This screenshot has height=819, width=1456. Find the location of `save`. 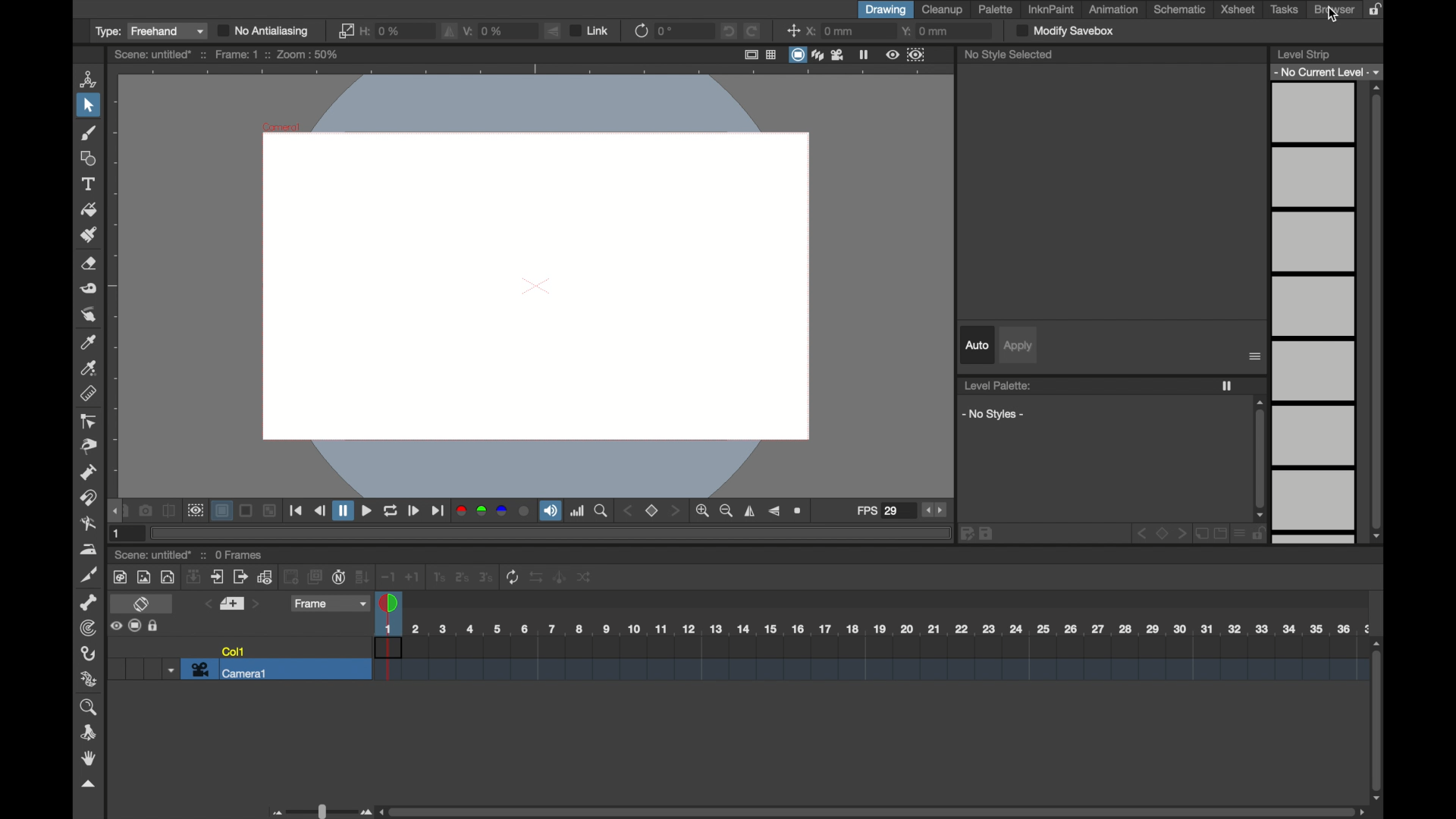

save is located at coordinates (987, 533).